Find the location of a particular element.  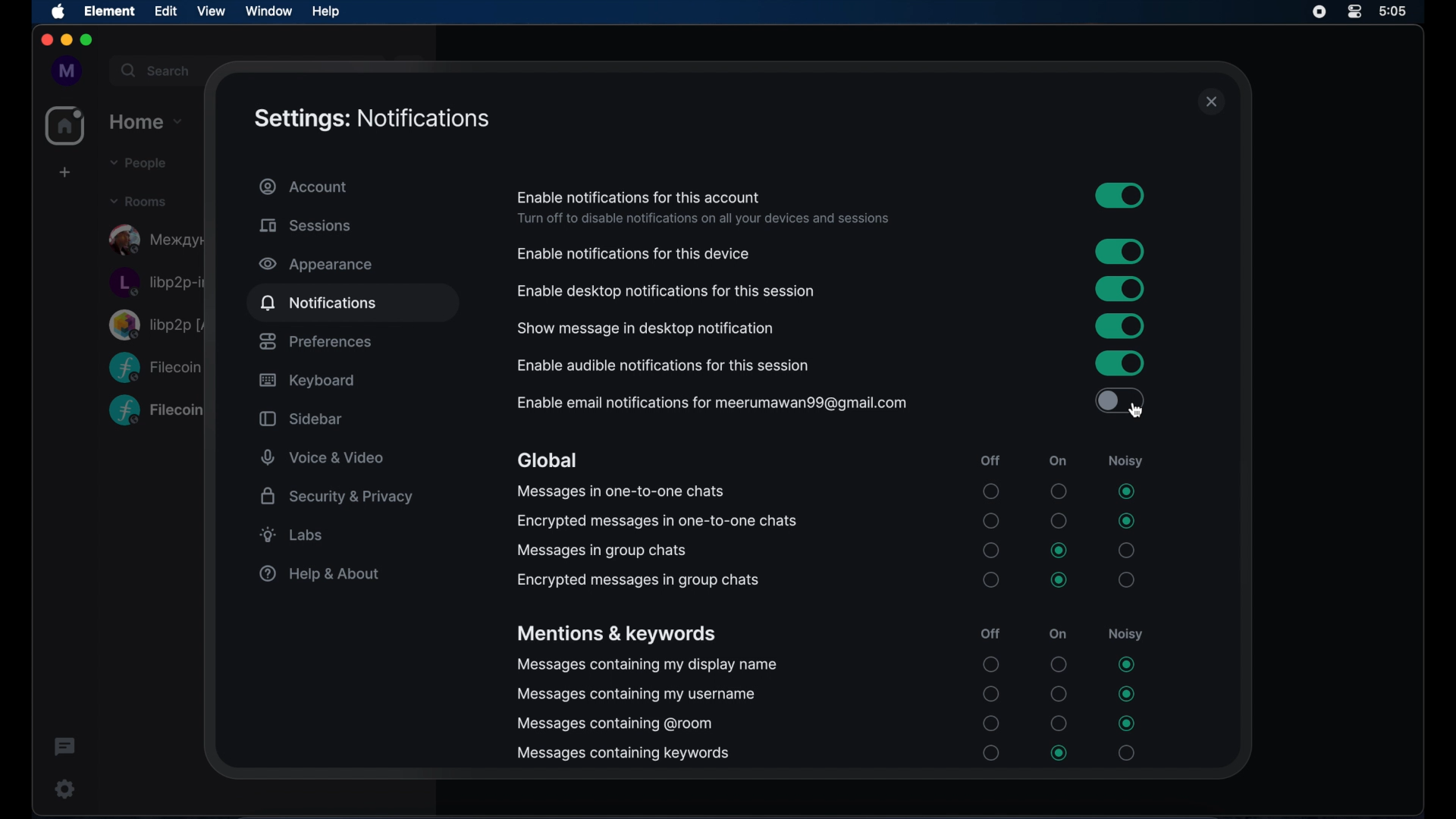

appearance is located at coordinates (315, 265).